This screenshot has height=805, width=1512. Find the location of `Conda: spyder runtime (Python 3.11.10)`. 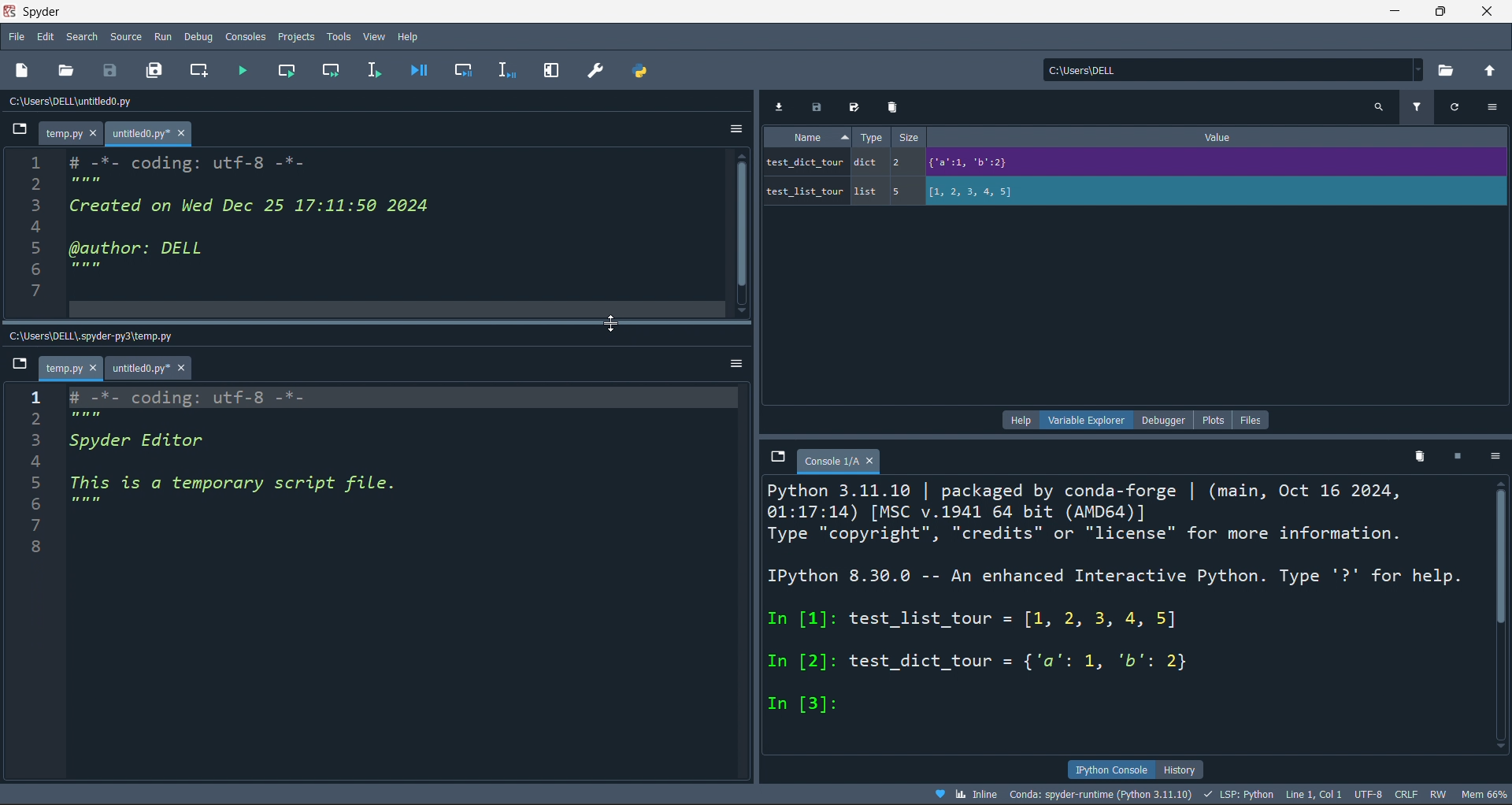

Conda: spyder runtime (Python 3.11.10) is located at coordinates (1108, 794).